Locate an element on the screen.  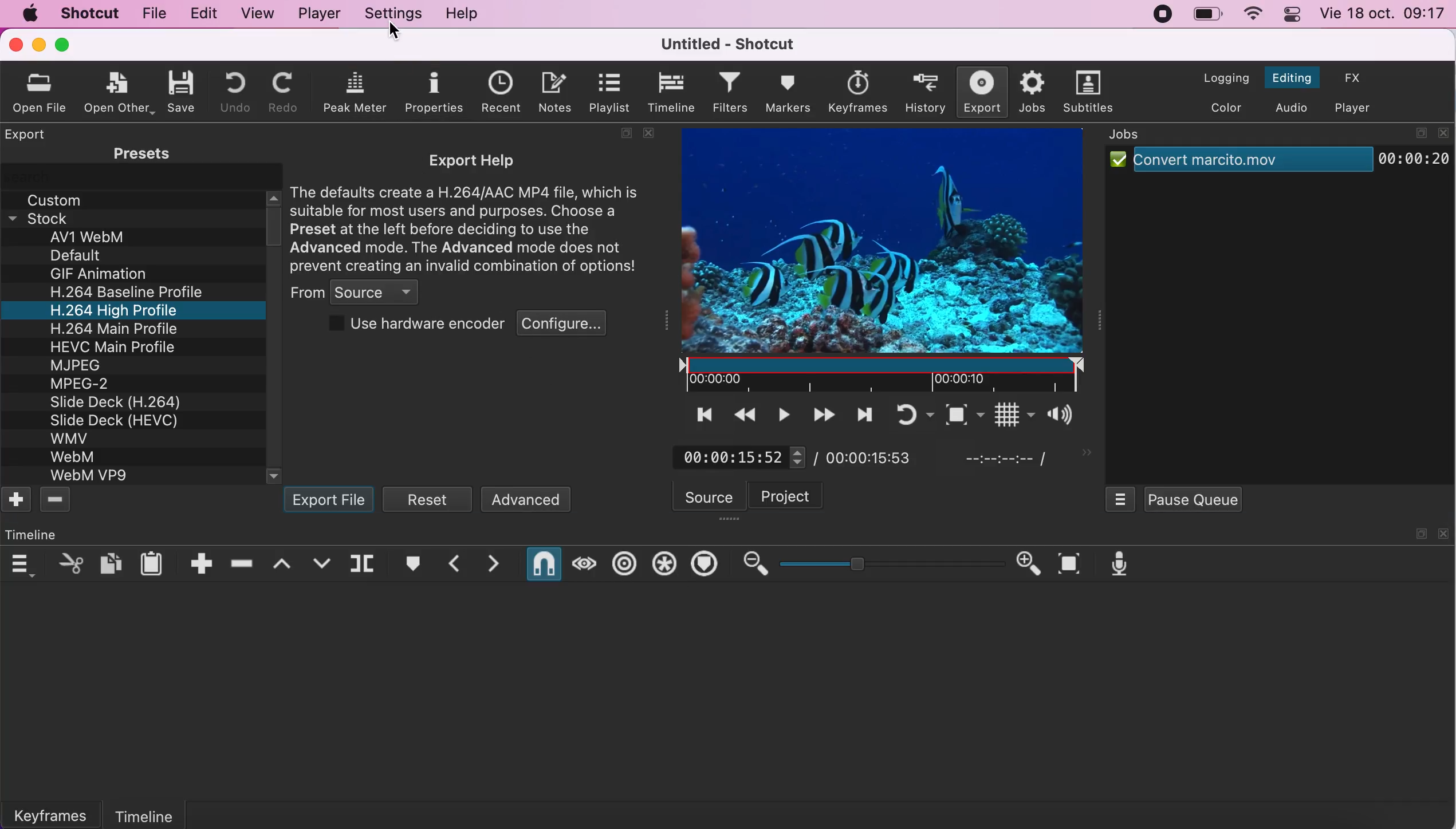
open other is located at coordinates (121, 91).